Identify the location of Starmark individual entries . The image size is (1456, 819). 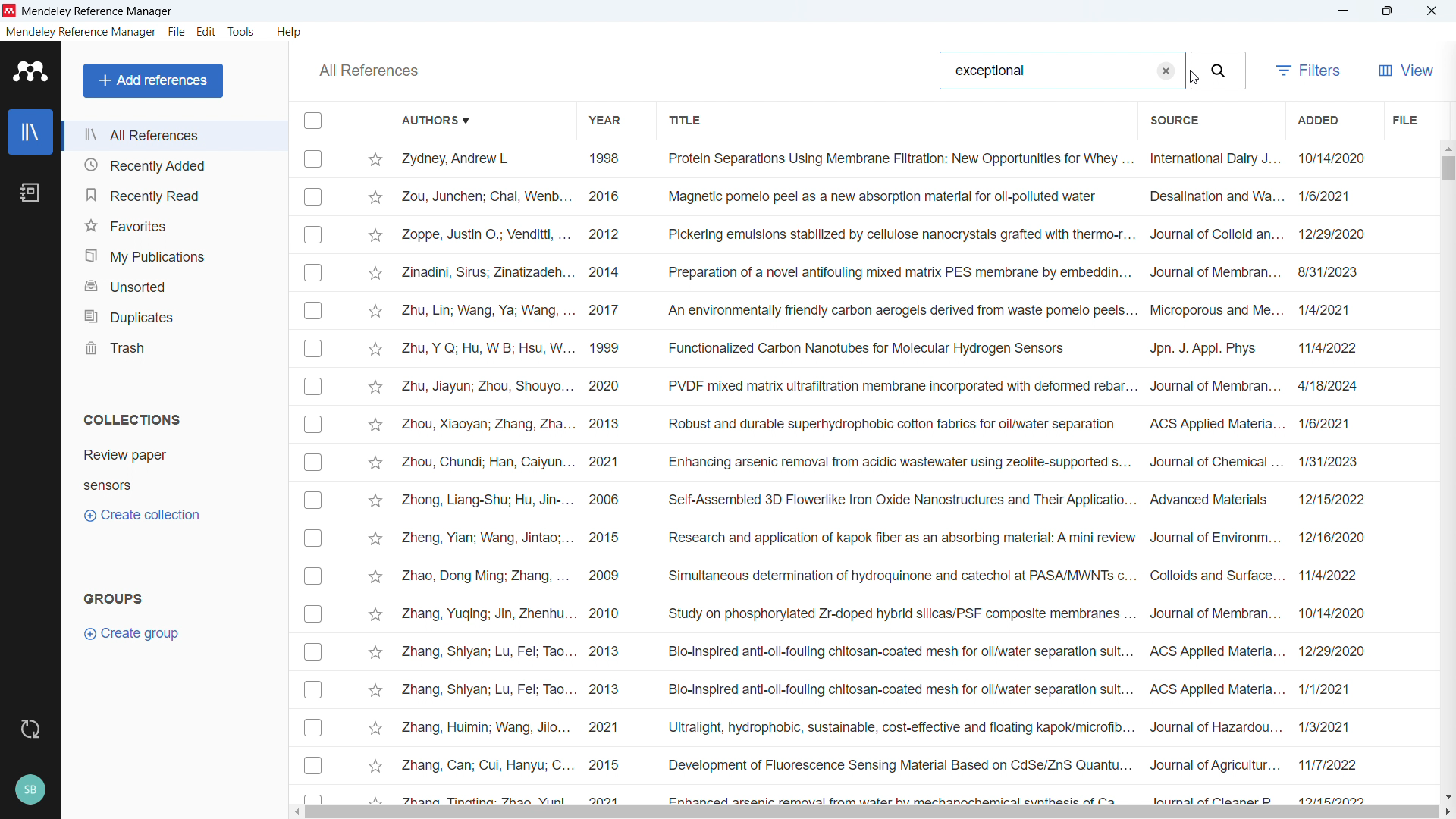
(375, 476).